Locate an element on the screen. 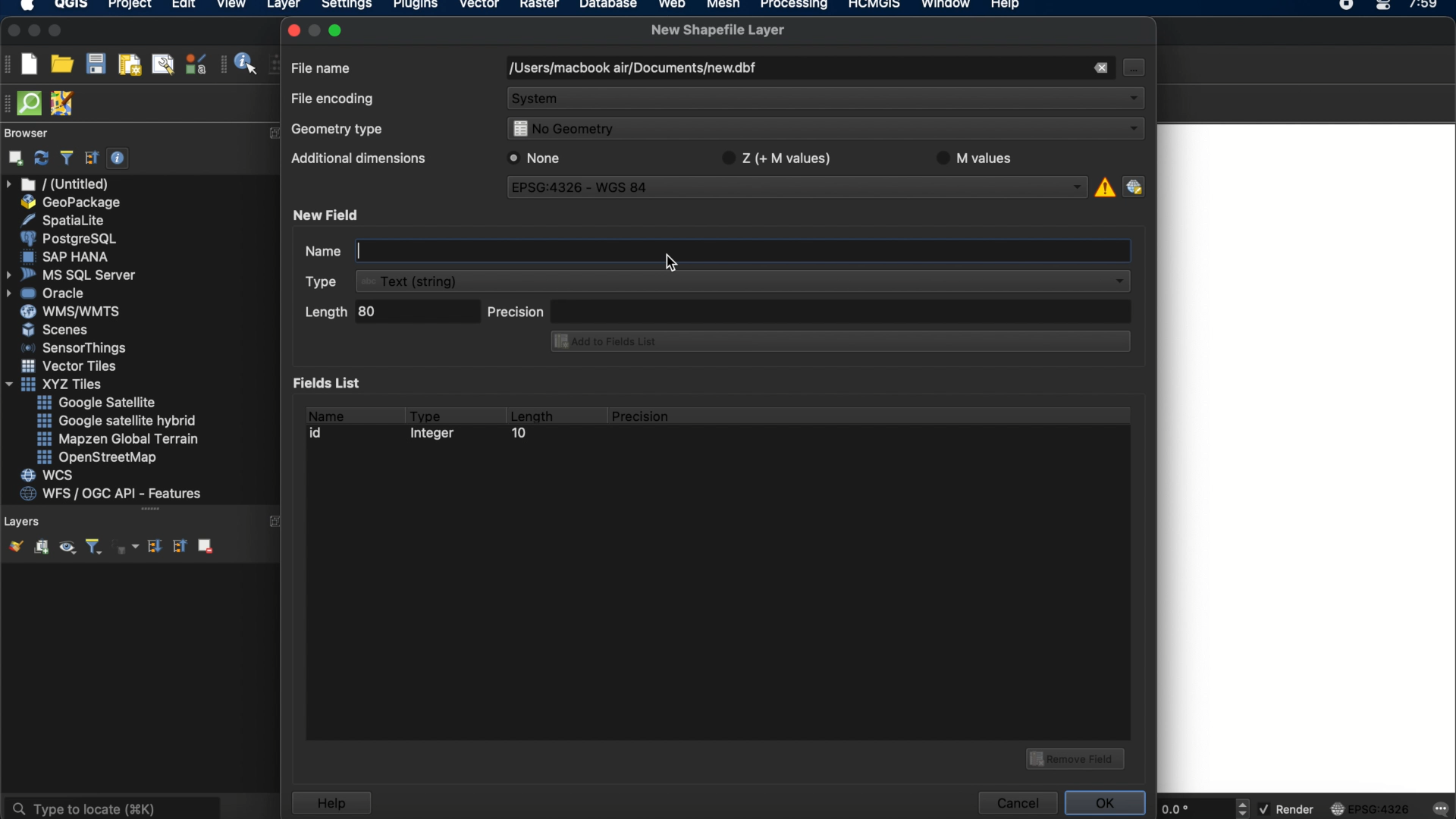 This screenshot has height=819, width=1456. recorder icon is located at coordinates (1348, 6).